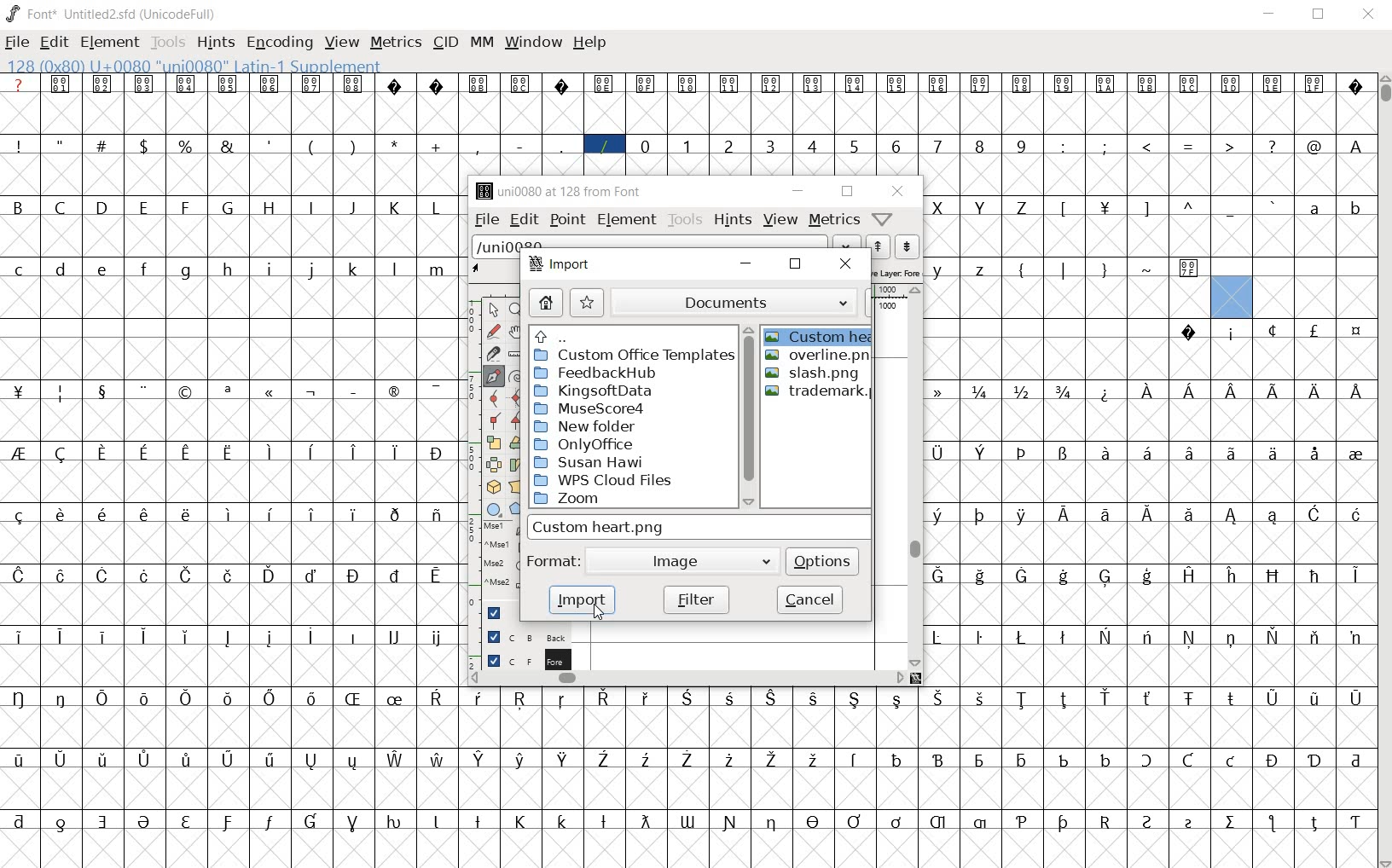  Describe the element at coordinates (772, 761) in the screenshot. I see `glyph` at that location.